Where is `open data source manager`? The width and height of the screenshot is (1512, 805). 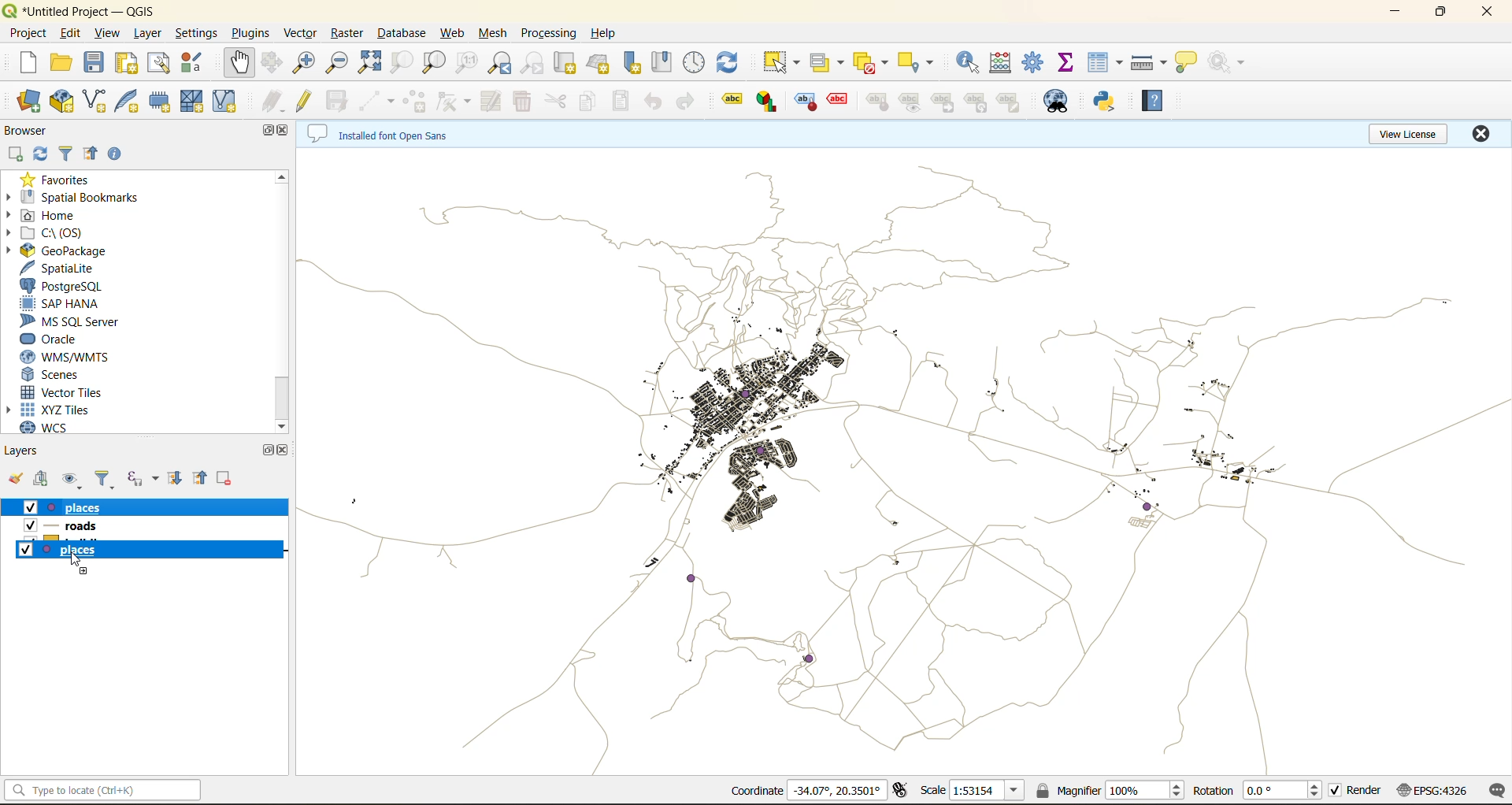
open data source manager is located at coordinates (28, 104).